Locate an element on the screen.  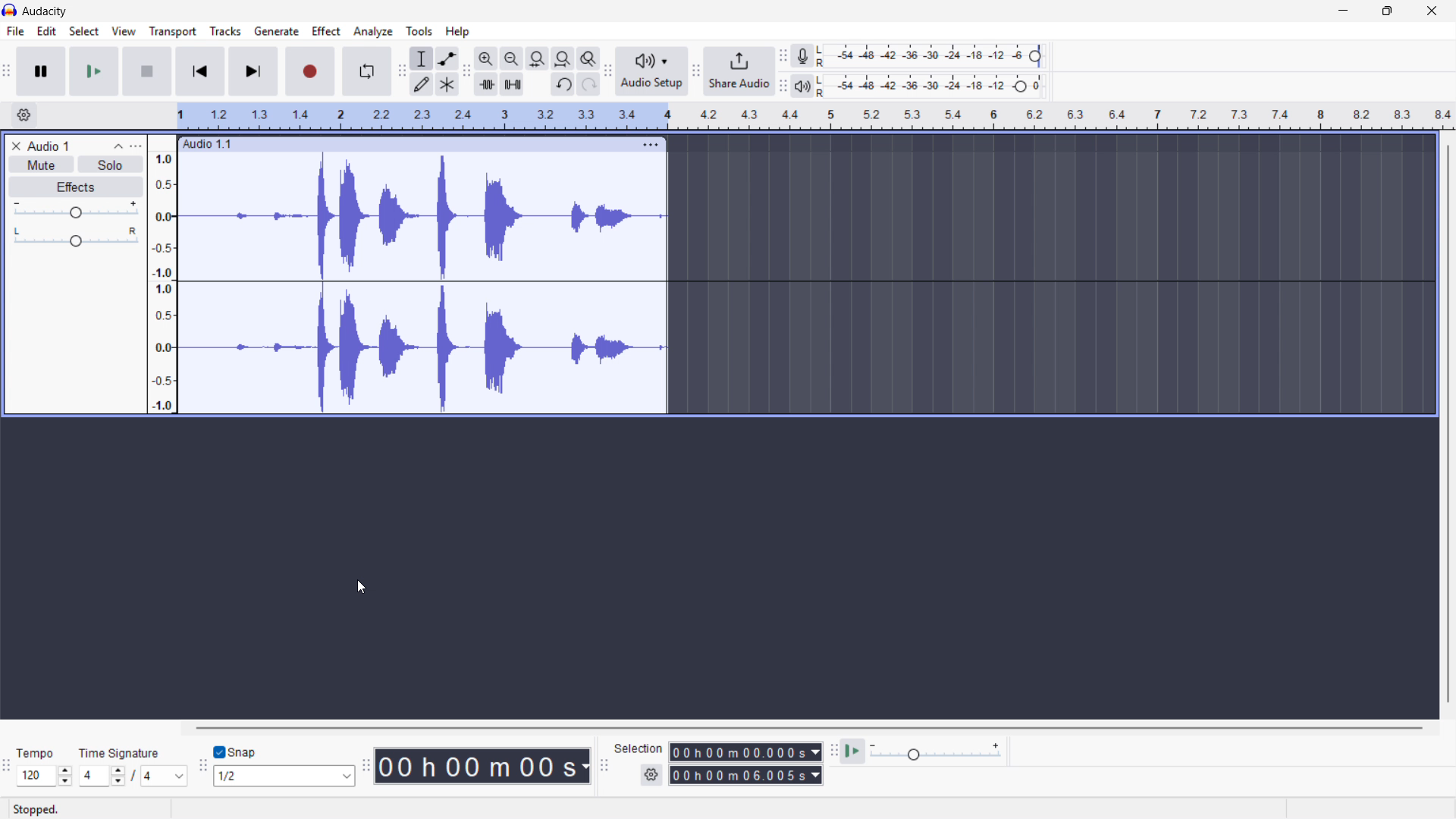
Record  is located at coordinates (310, 72).